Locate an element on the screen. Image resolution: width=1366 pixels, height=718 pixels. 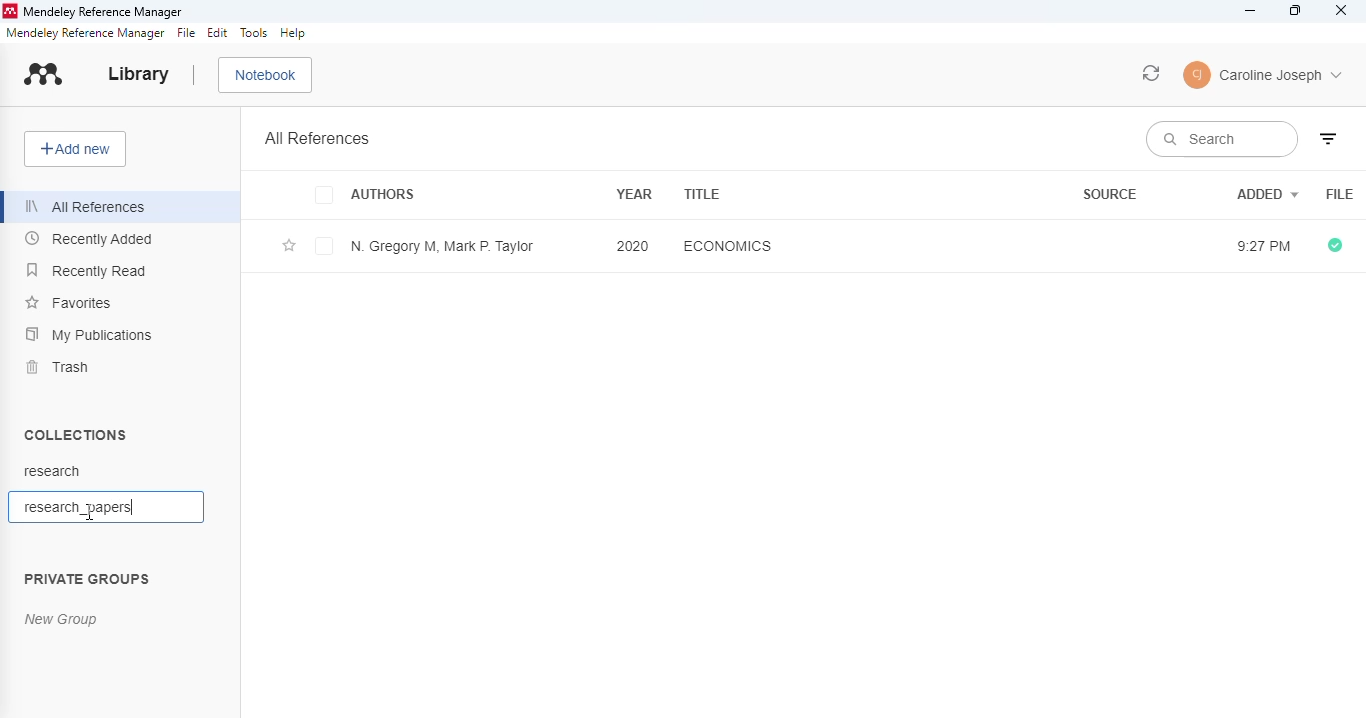
edit is located at coordinates (219, 34).